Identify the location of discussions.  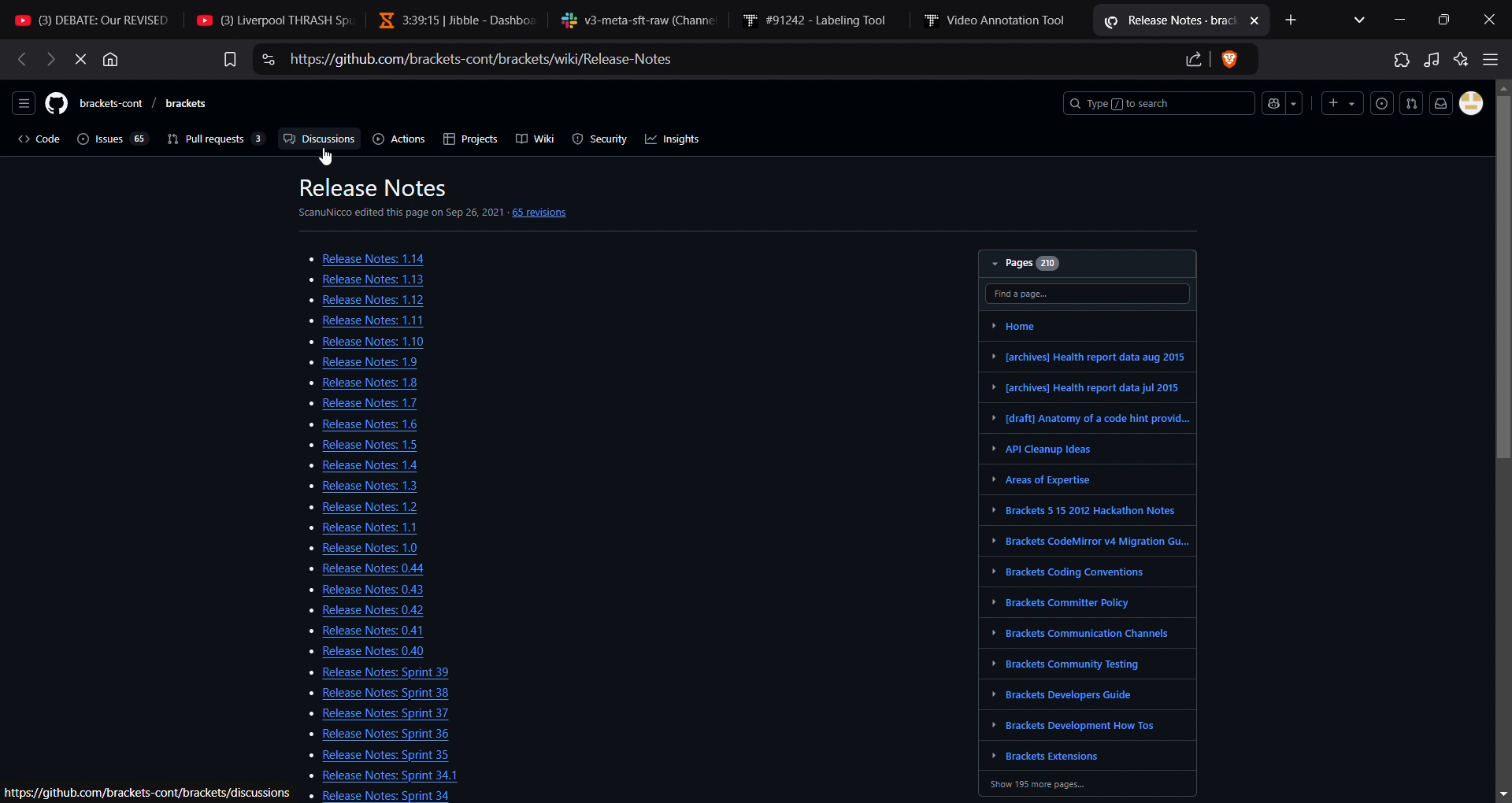
(315, 139).